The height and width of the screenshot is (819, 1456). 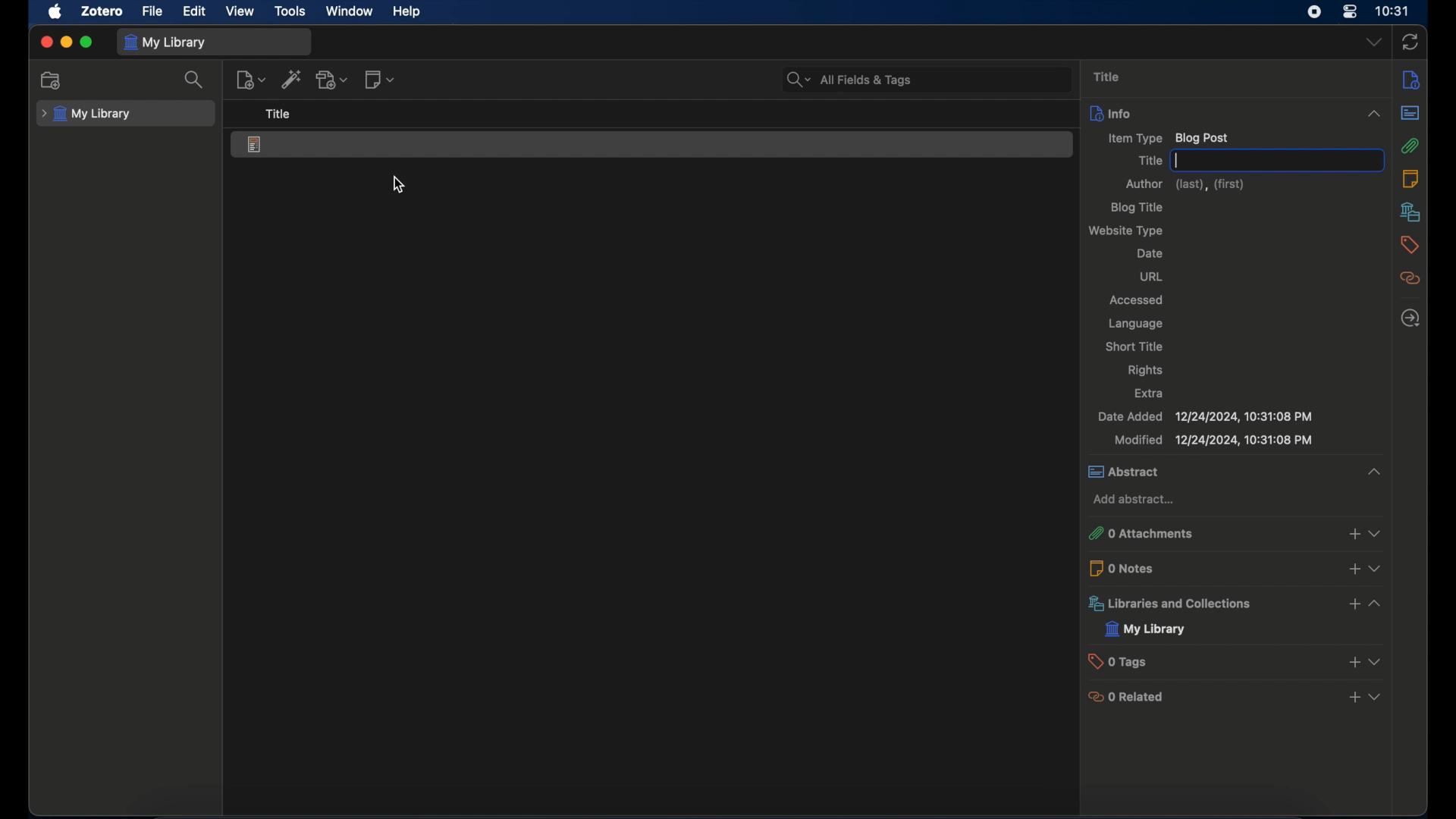 What do you see at coordinates (1233, 472) in the screenshot?
I see `abstract` at bounding box center [1233, 472].